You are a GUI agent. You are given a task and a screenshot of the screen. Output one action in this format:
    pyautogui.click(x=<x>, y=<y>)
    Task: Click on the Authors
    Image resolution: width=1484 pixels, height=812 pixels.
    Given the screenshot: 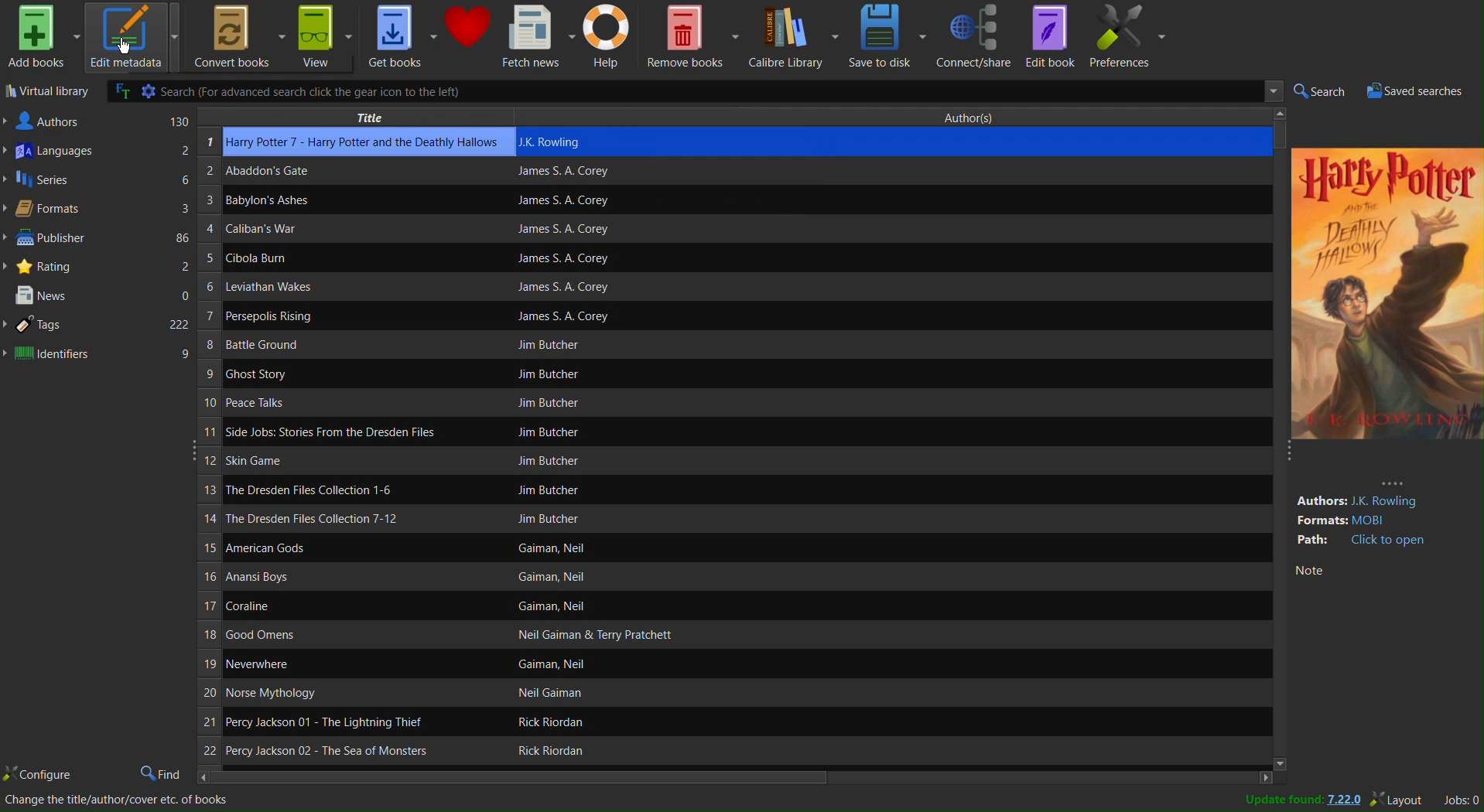 What is the action you would take?
    pyautogui.click(x=97, y=121)
    